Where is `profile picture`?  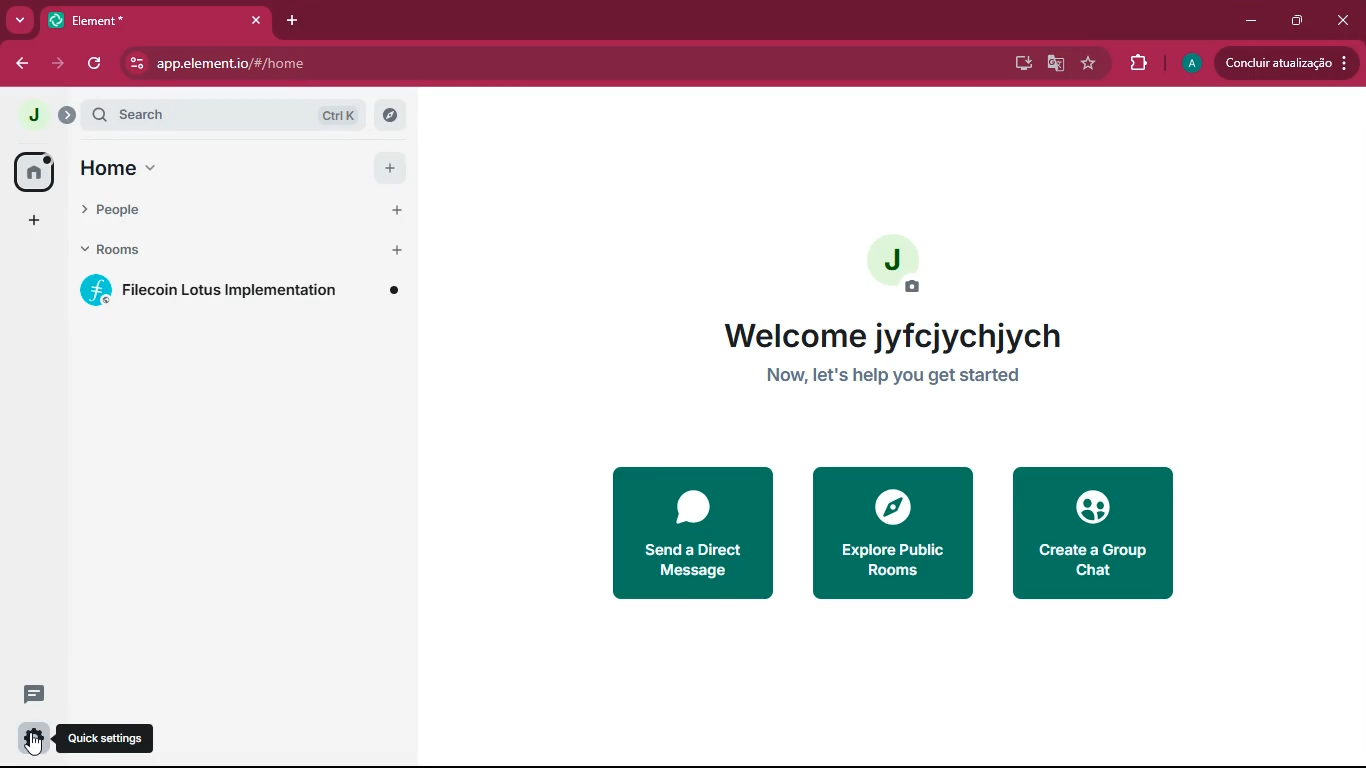
profile picture is located at coordinates (28, 114).